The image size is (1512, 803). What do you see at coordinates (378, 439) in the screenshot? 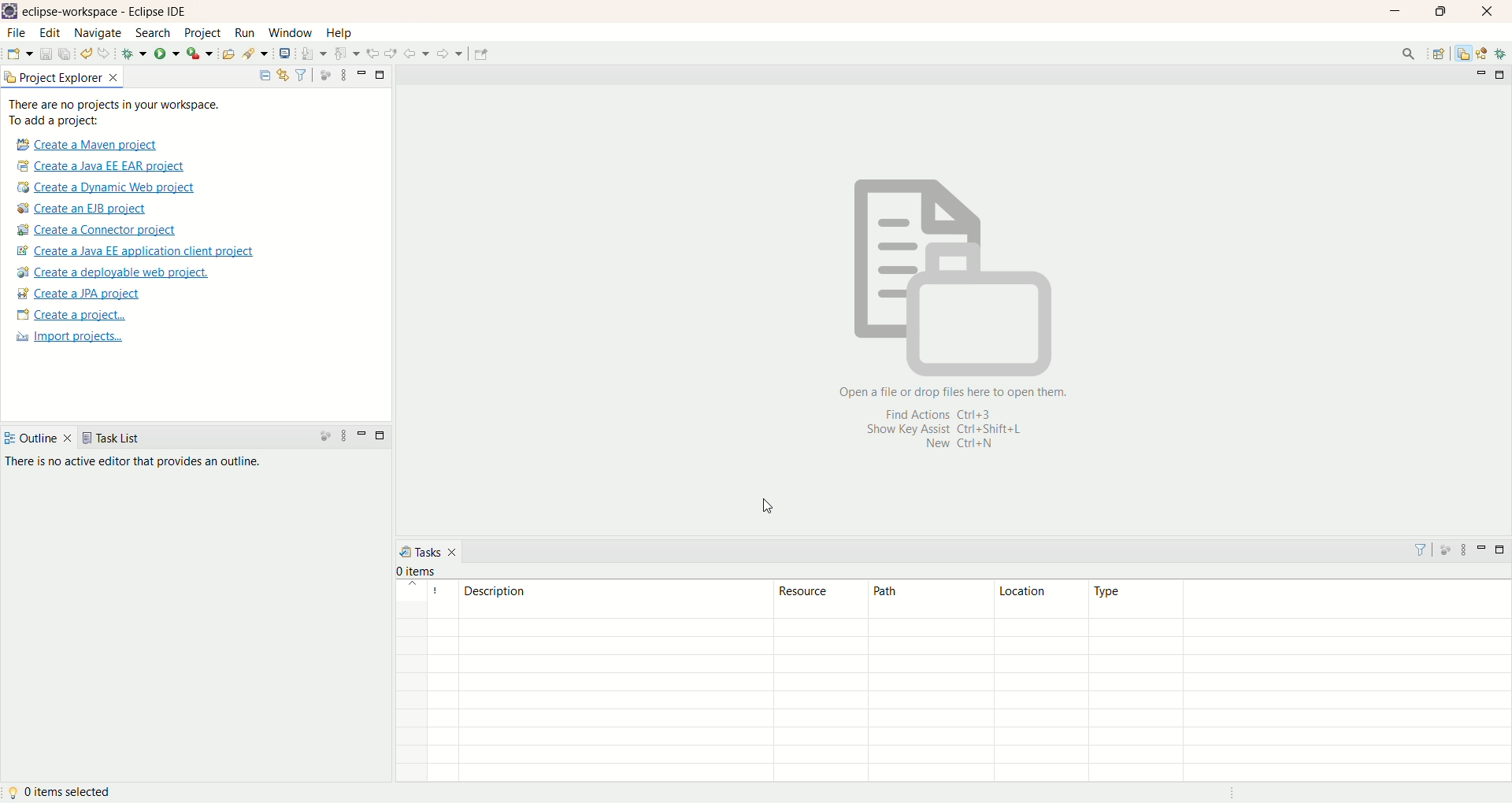
I see `maximize` at bounding box center [378, 439].